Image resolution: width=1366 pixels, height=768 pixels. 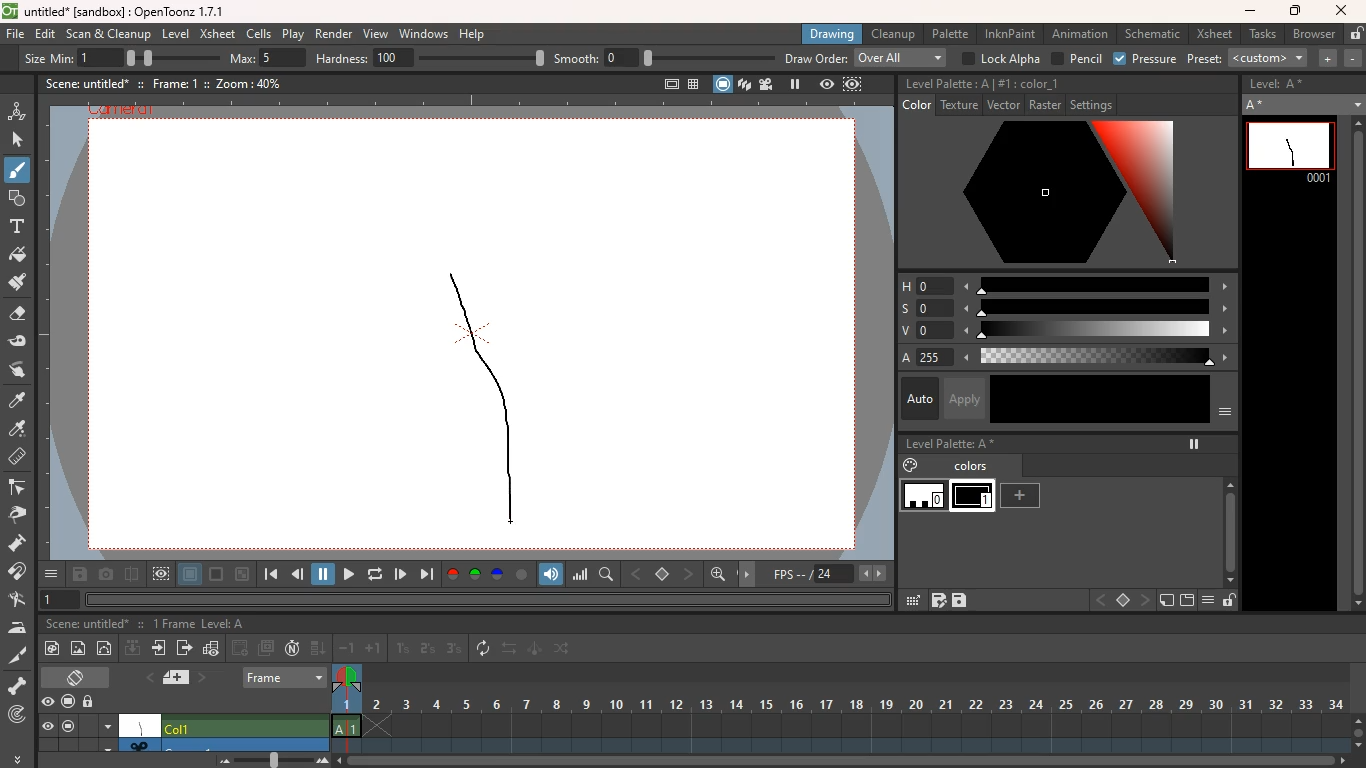 What do you see at coordinates (509, 518) in the screenshot?
I see `drawing cursor` at bounding box center [509, 518].